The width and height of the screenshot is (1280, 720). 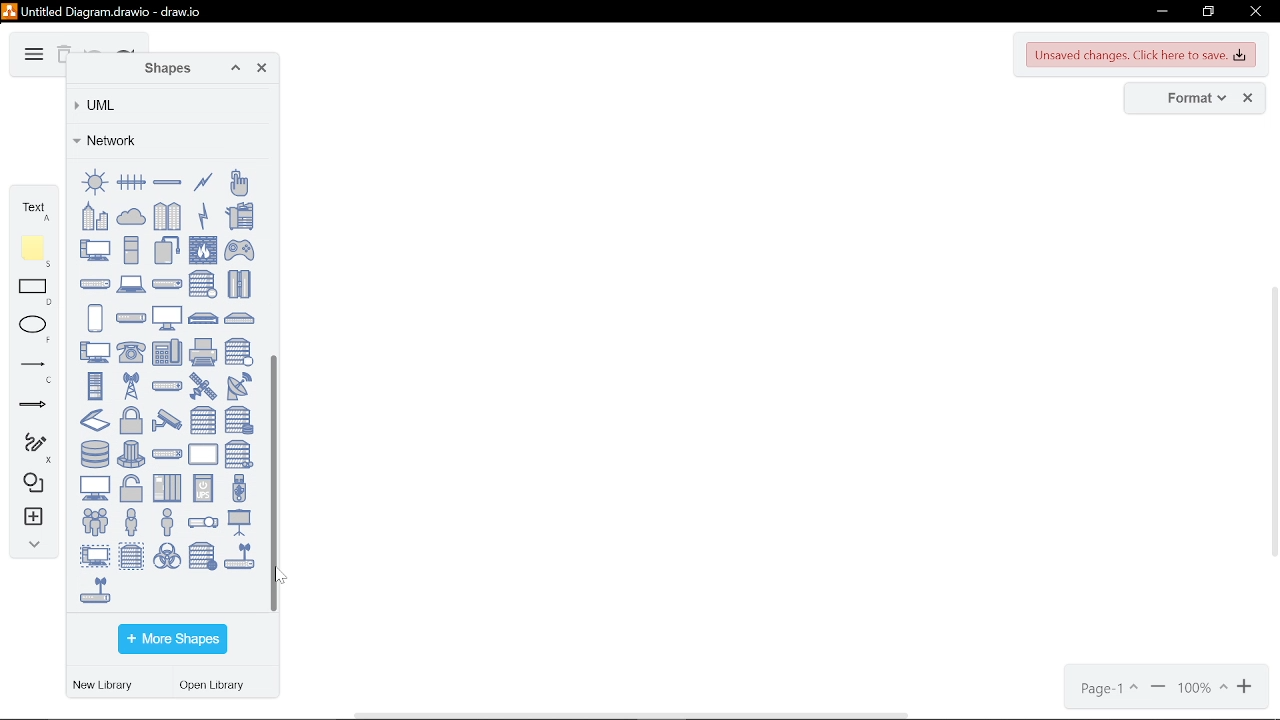 I want to click on unsecure, so click(x=131, y=489).